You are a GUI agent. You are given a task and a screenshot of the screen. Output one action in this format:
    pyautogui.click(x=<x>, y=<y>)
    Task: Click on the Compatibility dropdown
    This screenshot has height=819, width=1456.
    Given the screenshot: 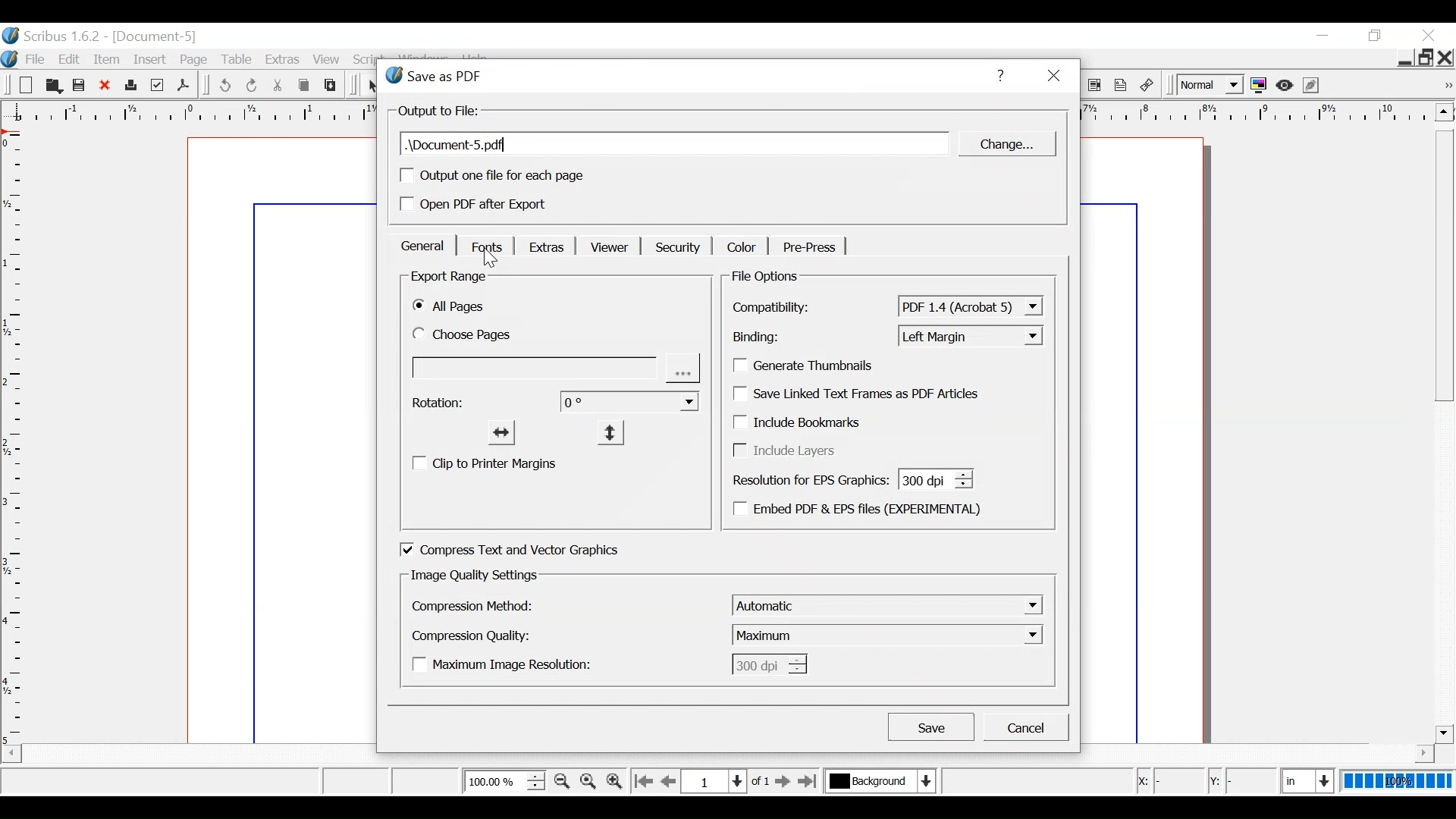 What is the action you would take?
    pyautogui.click(x=971, y=306)
    